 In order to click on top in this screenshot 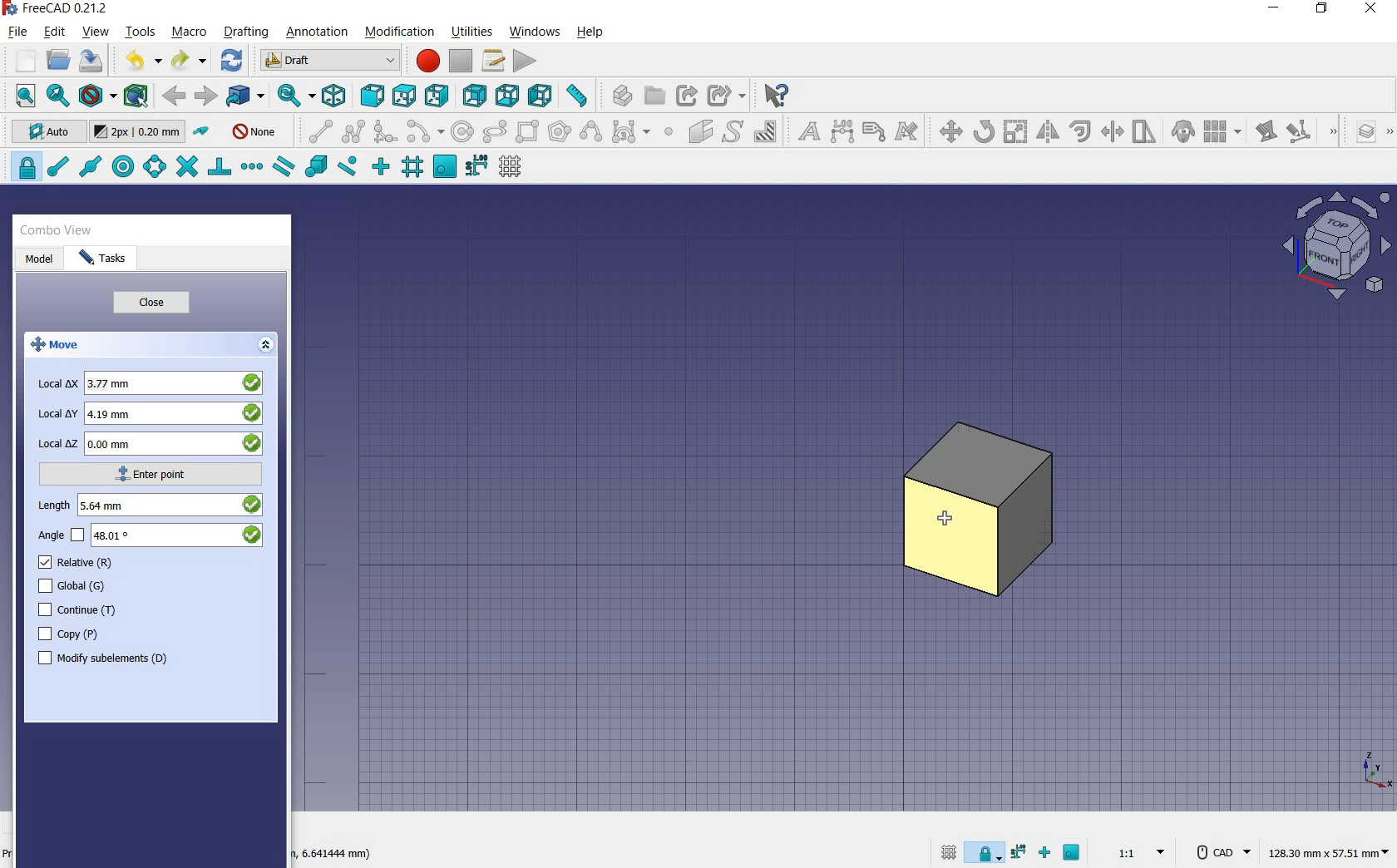, I will do `click(407, 95)`.